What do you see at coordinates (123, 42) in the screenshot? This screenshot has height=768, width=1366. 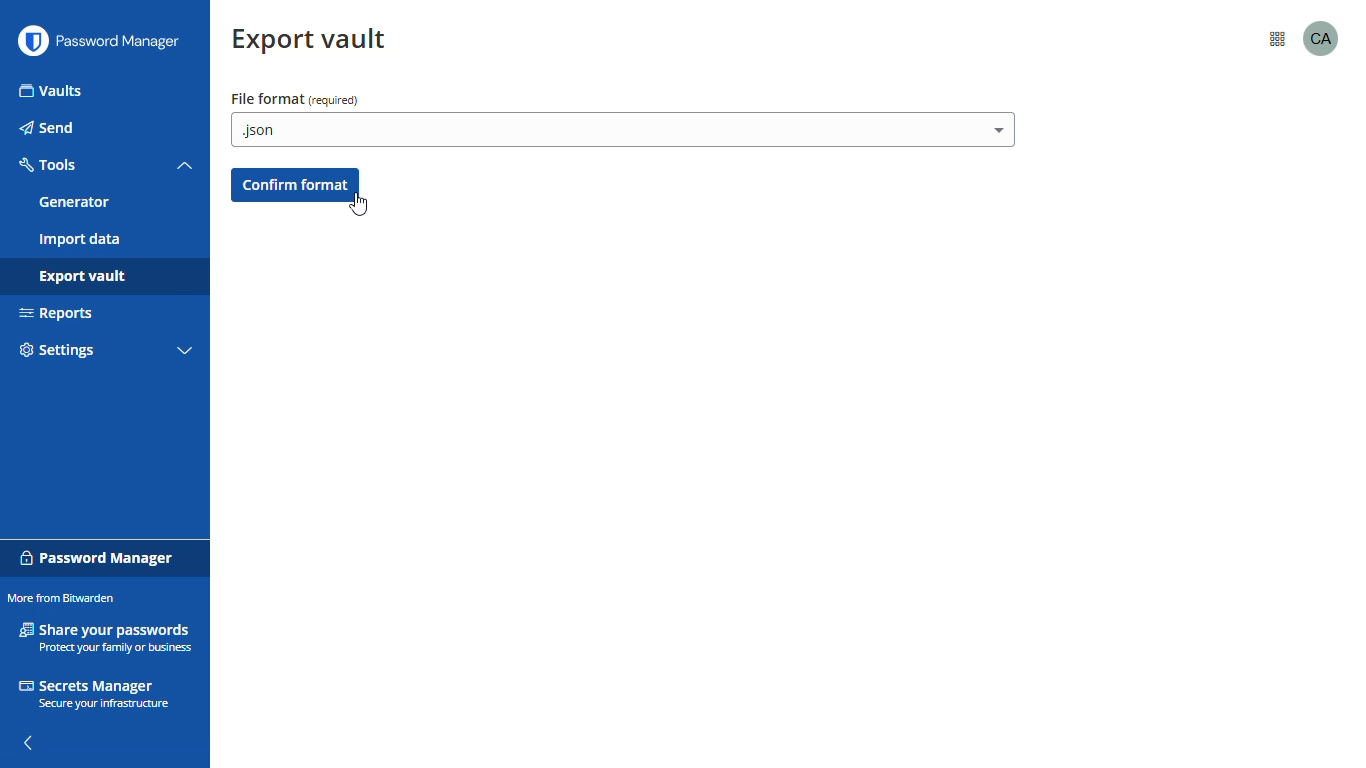 I see `password manager` at bounding box center [123, 42].